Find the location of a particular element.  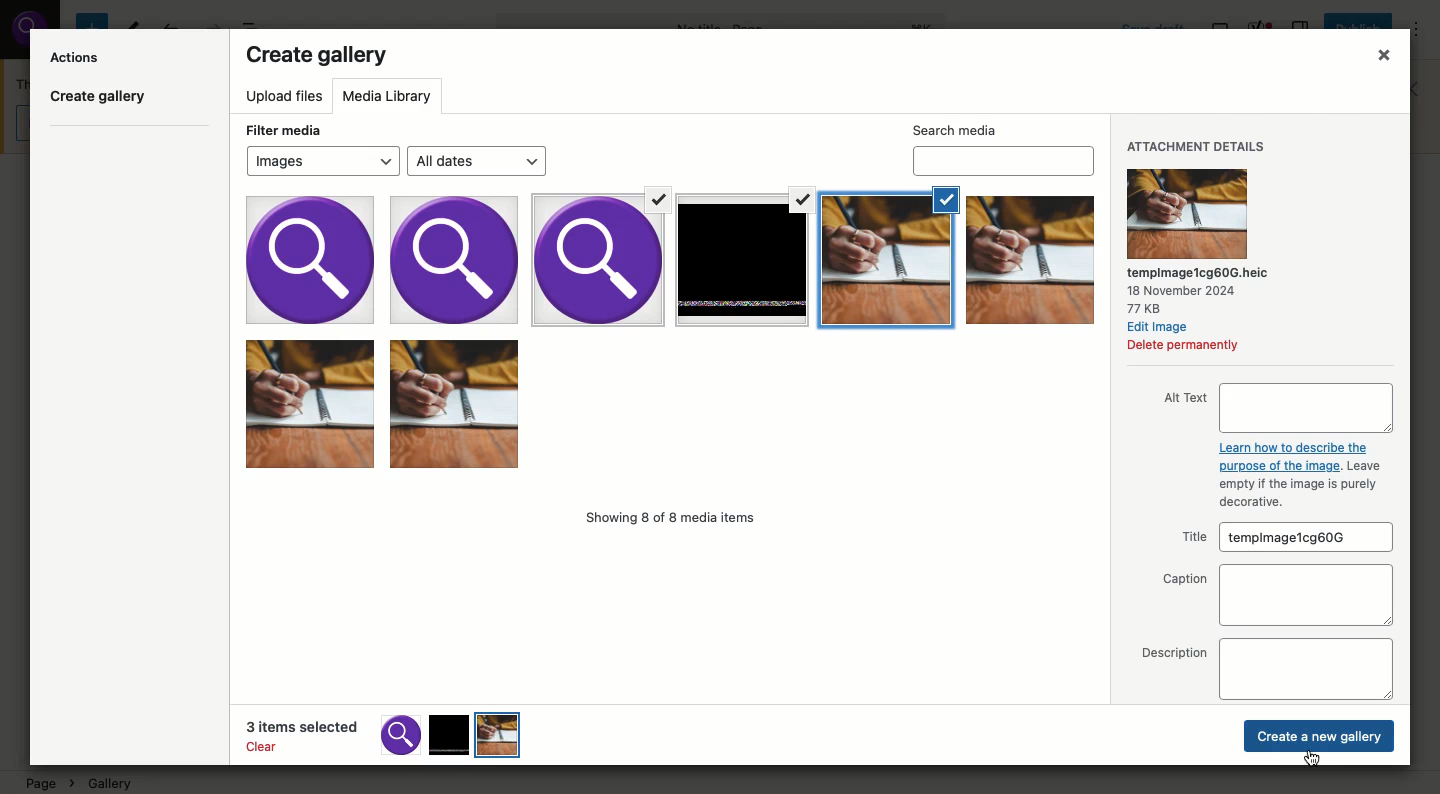

Alt text is located at coordinates (1277, 405).